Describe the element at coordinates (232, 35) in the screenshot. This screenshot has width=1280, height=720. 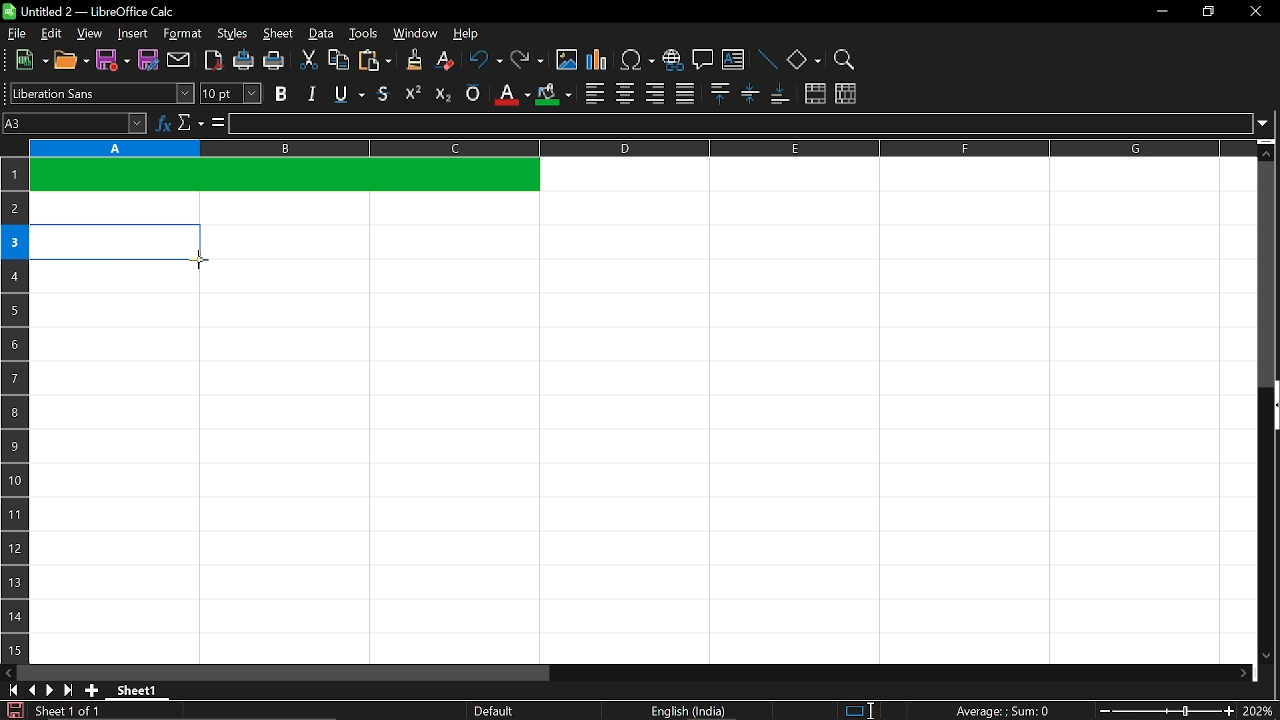
I see `styles` at that location.